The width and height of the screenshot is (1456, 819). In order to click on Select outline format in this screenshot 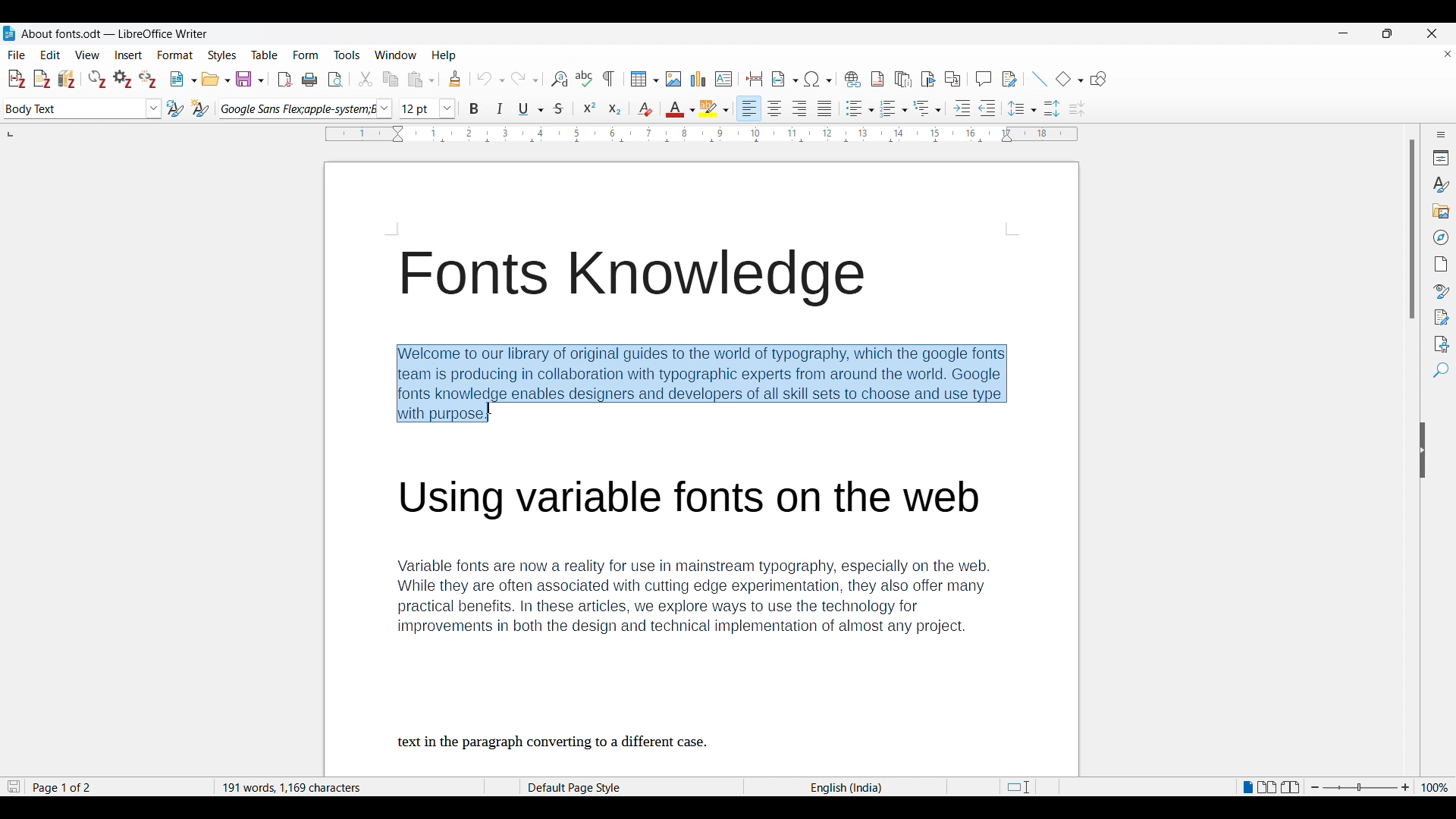, I will do `click(927, 108)`.